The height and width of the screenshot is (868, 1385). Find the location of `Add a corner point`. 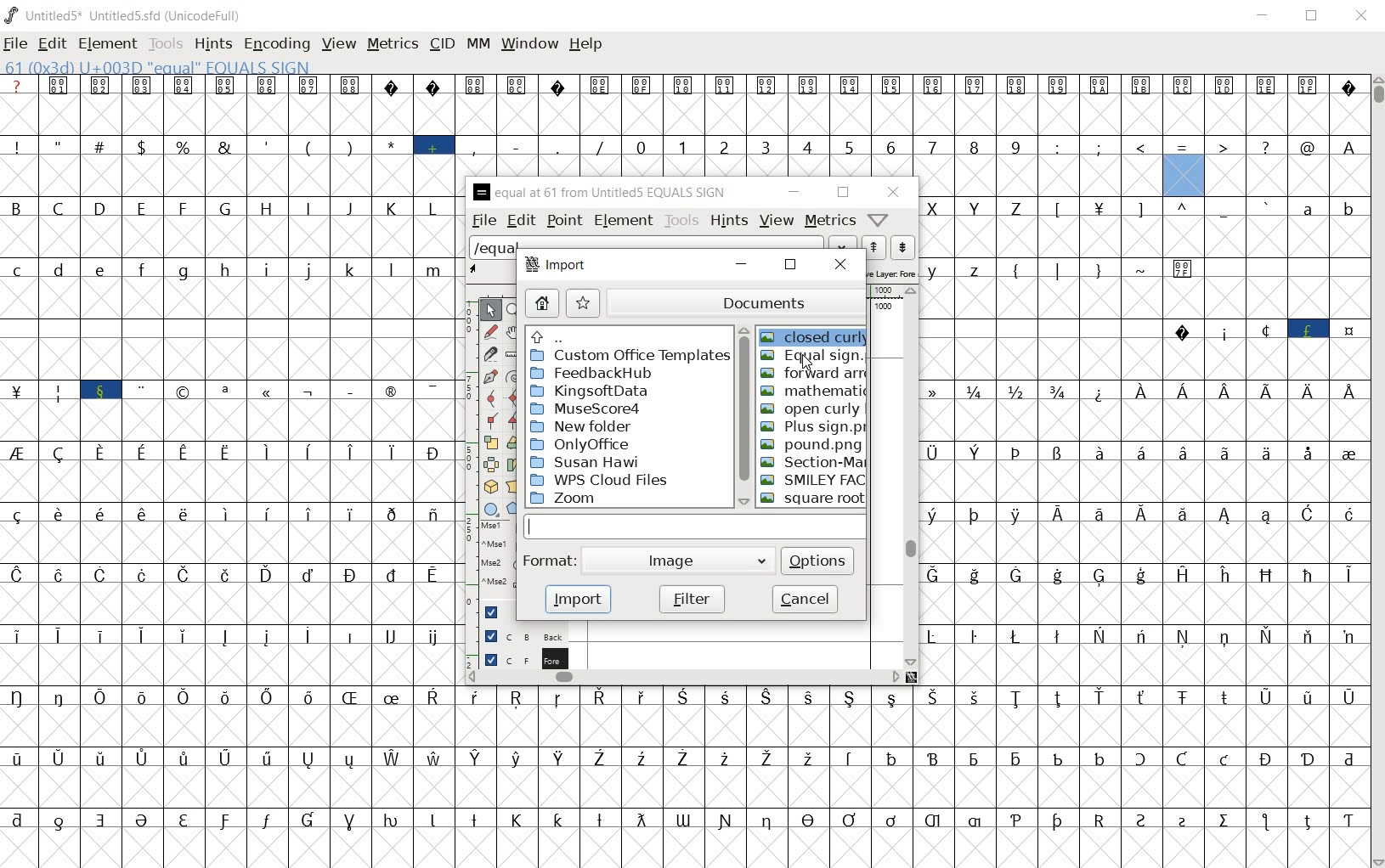

Add a corner point is located at coordinates (514, 420).